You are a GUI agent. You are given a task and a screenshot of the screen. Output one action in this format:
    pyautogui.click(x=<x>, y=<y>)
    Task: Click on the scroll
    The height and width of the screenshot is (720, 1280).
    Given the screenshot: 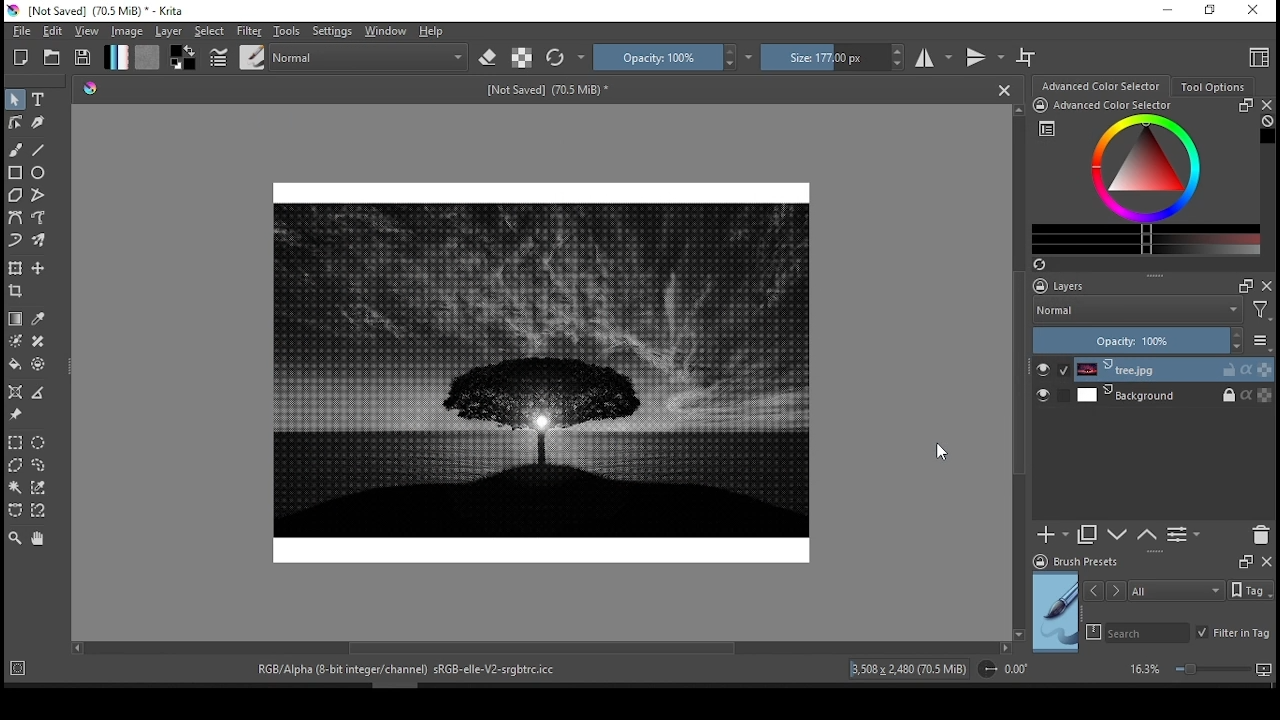 What is the action you would take?
    pyautogui.click(x=544, y=648)
    